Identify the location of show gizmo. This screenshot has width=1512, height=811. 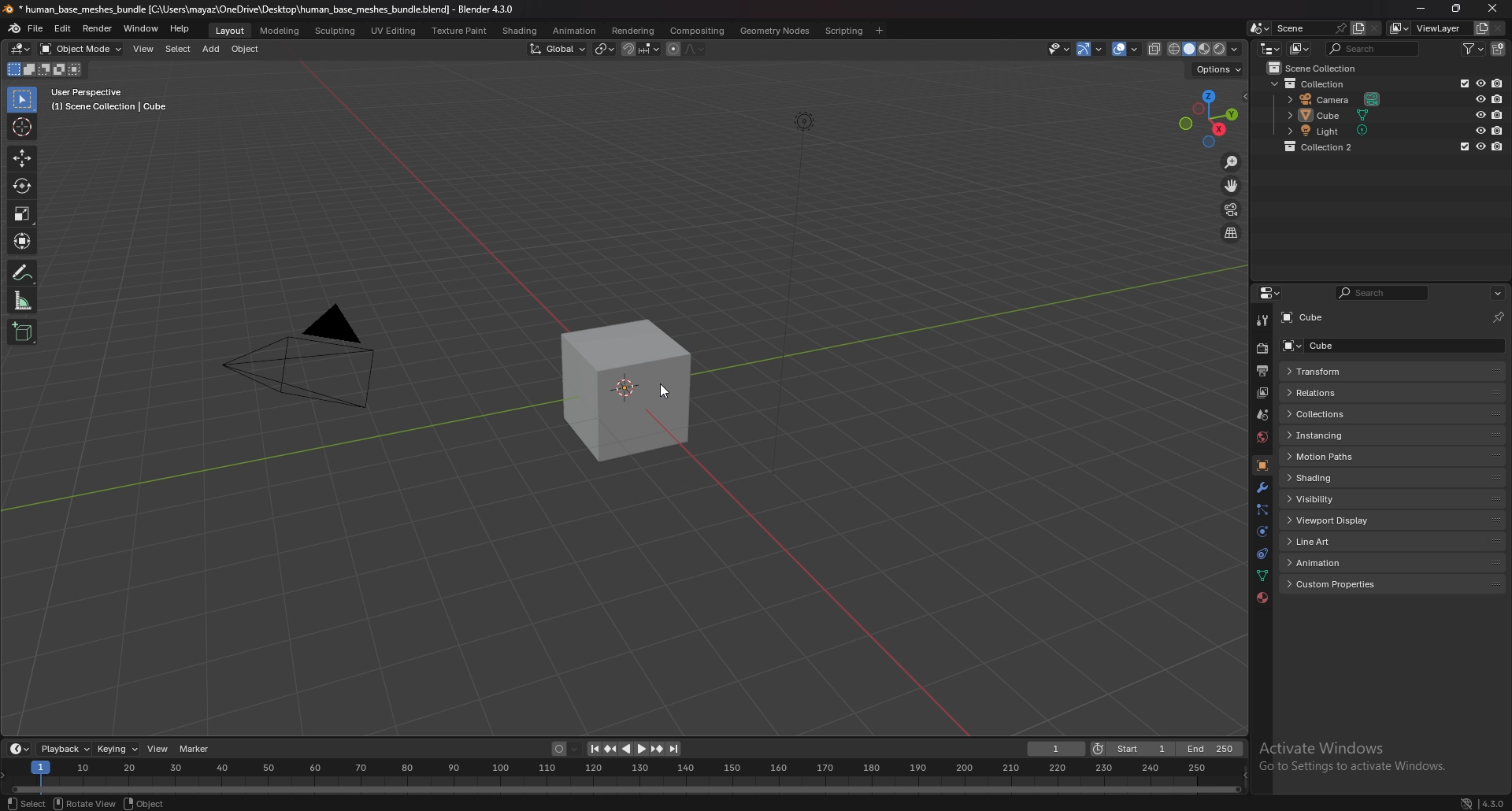
(1090, 50).